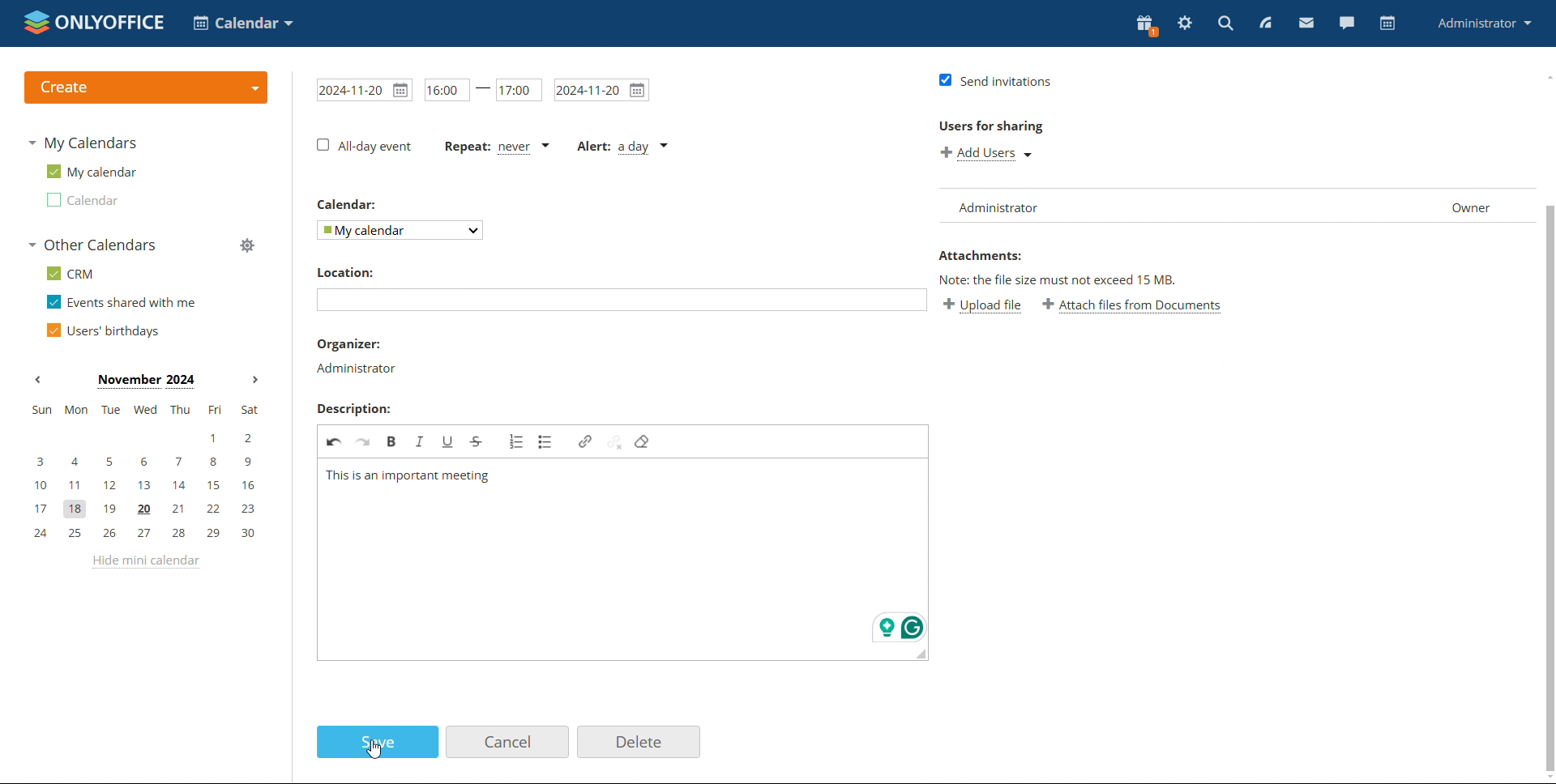 The width and height of the screenshot is (1556, 784). Describe the element at coordinates (994, 81) in the screenshot. I see `send invitations` at that location.